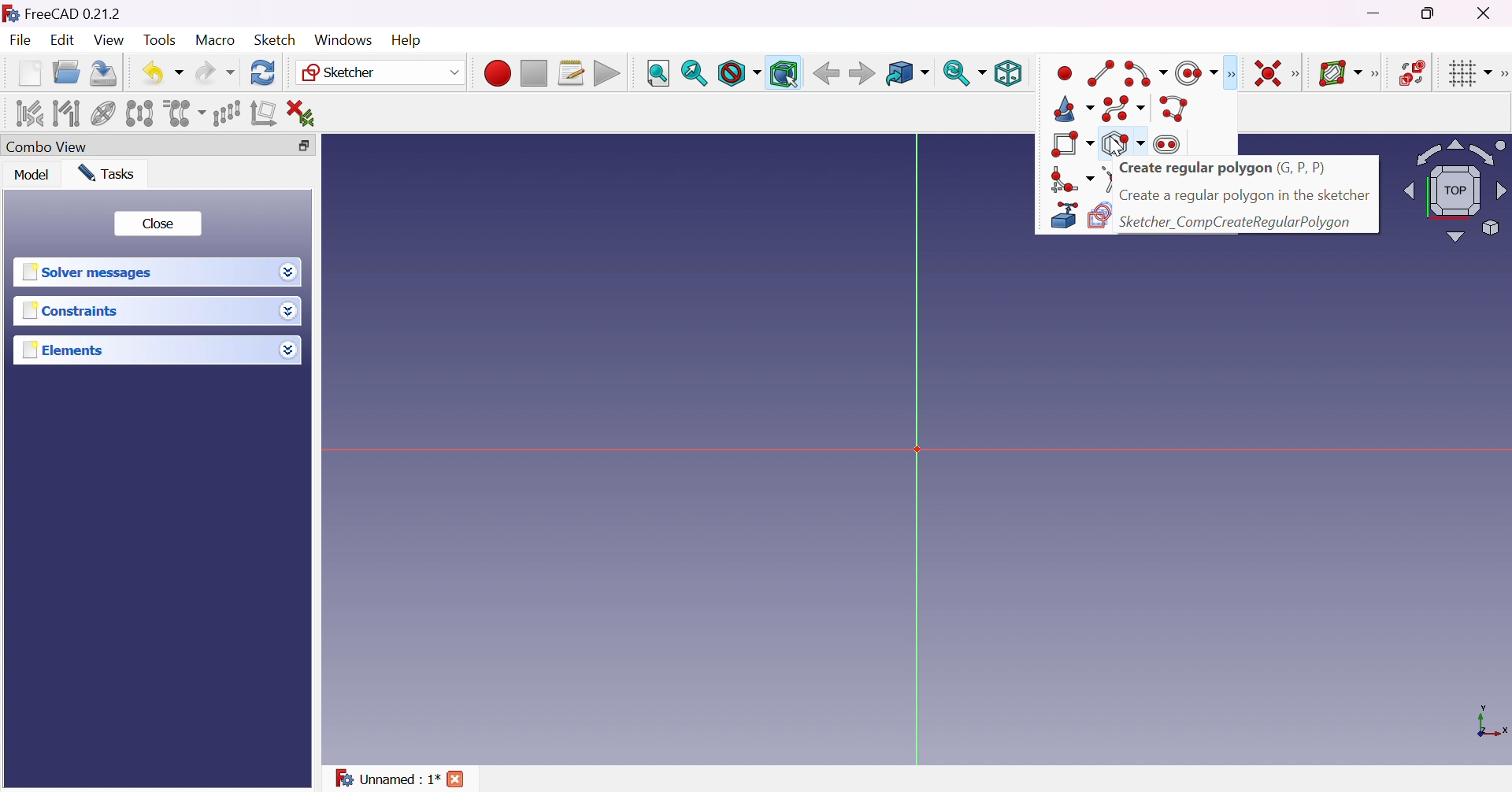 The image size is (1512, 792). What do you see at coordinates (65, 40) in the screenshot?
I see `Edit` at bounding box center [65, 40].